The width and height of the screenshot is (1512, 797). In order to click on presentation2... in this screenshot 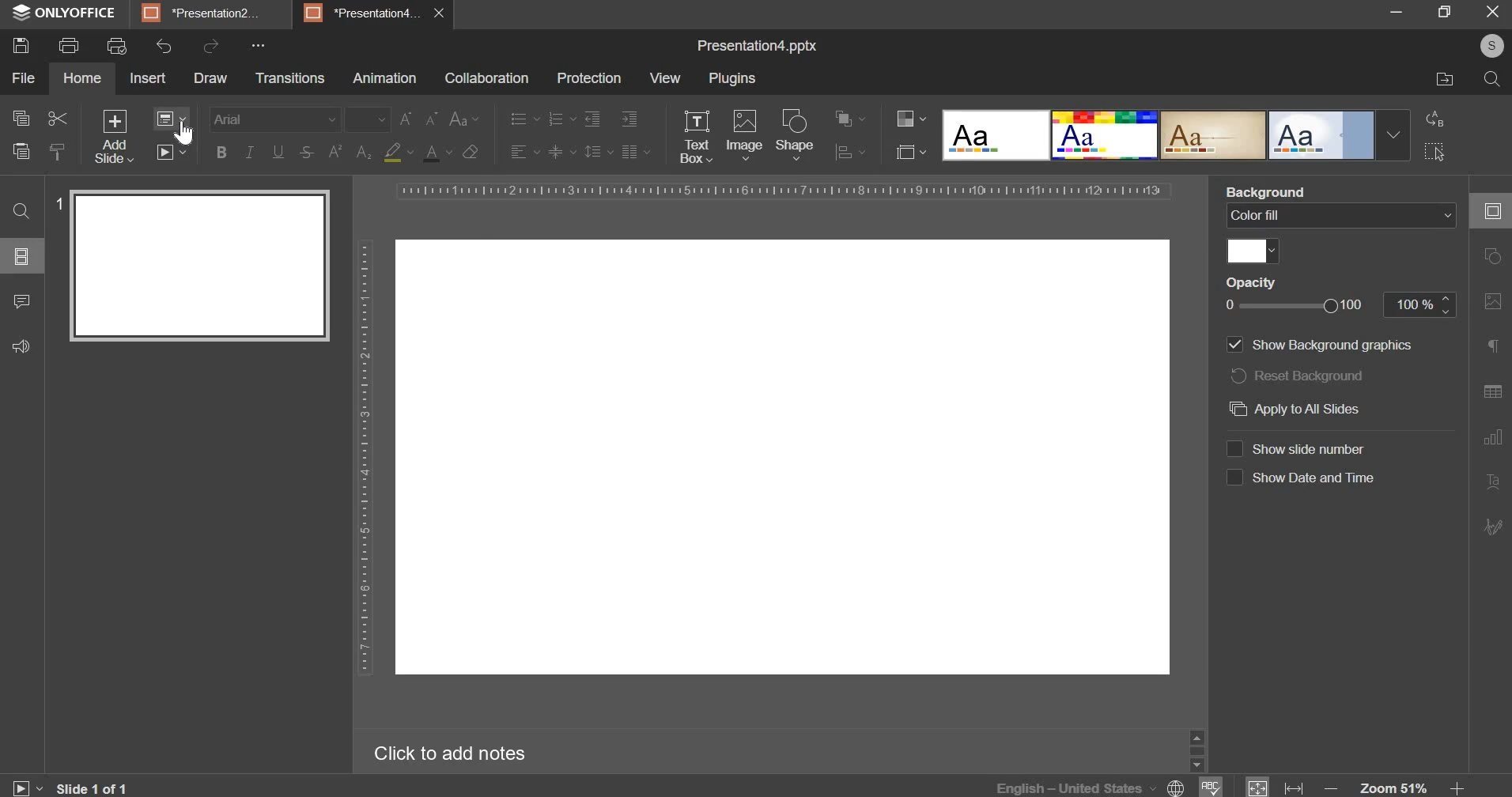, I will do `click(202, 13)`.